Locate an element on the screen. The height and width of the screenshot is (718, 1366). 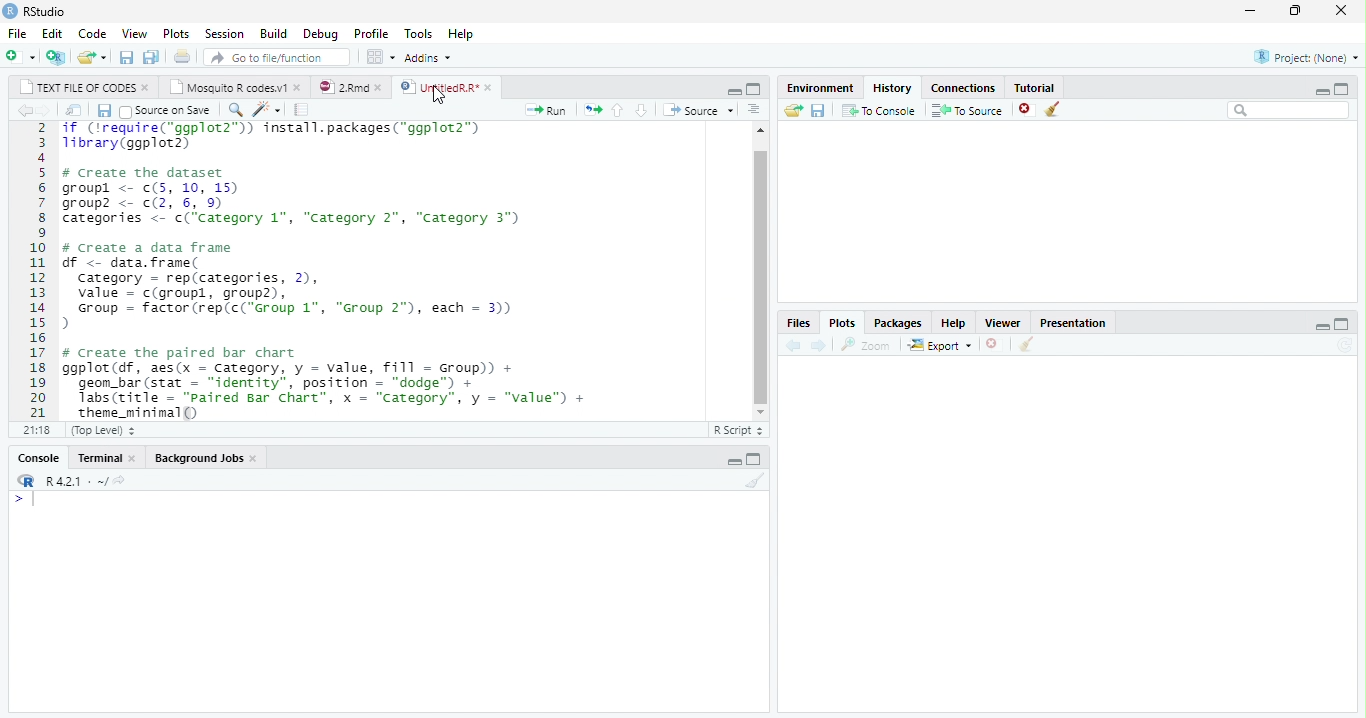
view is located at coordinates (131, 32).